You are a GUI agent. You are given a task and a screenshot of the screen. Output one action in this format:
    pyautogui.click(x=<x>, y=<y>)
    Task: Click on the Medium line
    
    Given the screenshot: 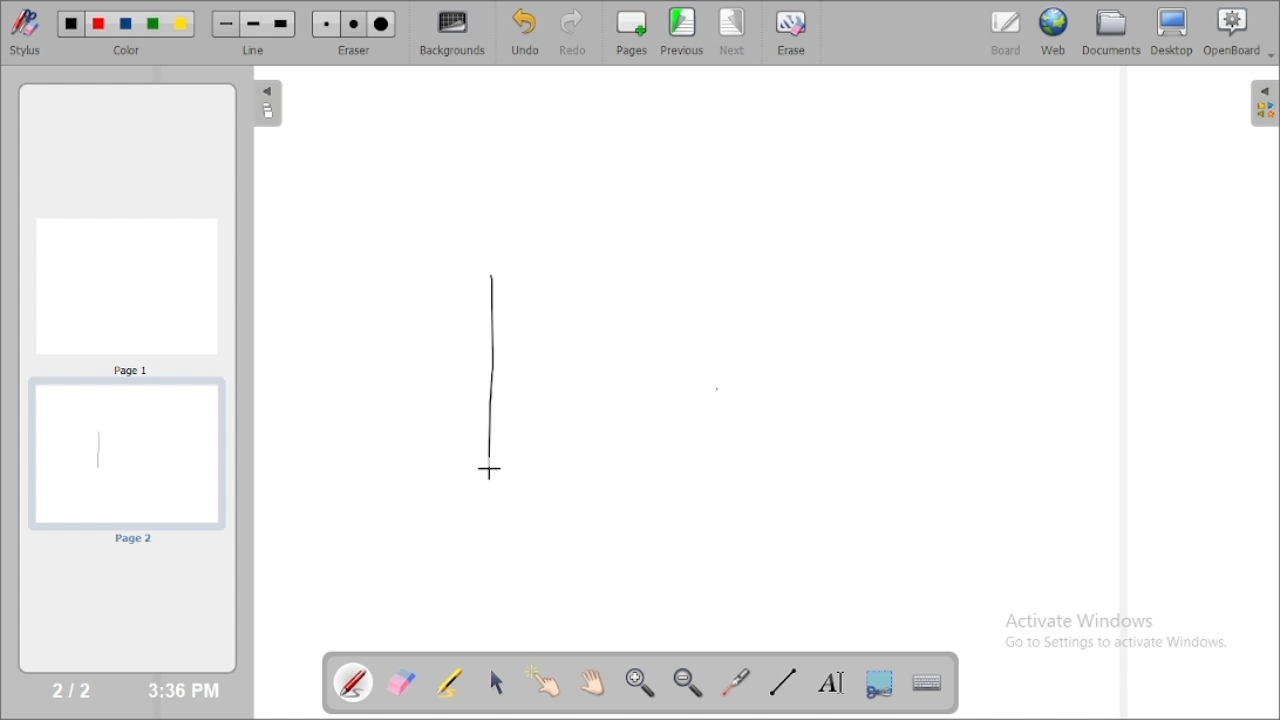 What is the action you would take?
    pyautogui.click(x=255, y=24)
    